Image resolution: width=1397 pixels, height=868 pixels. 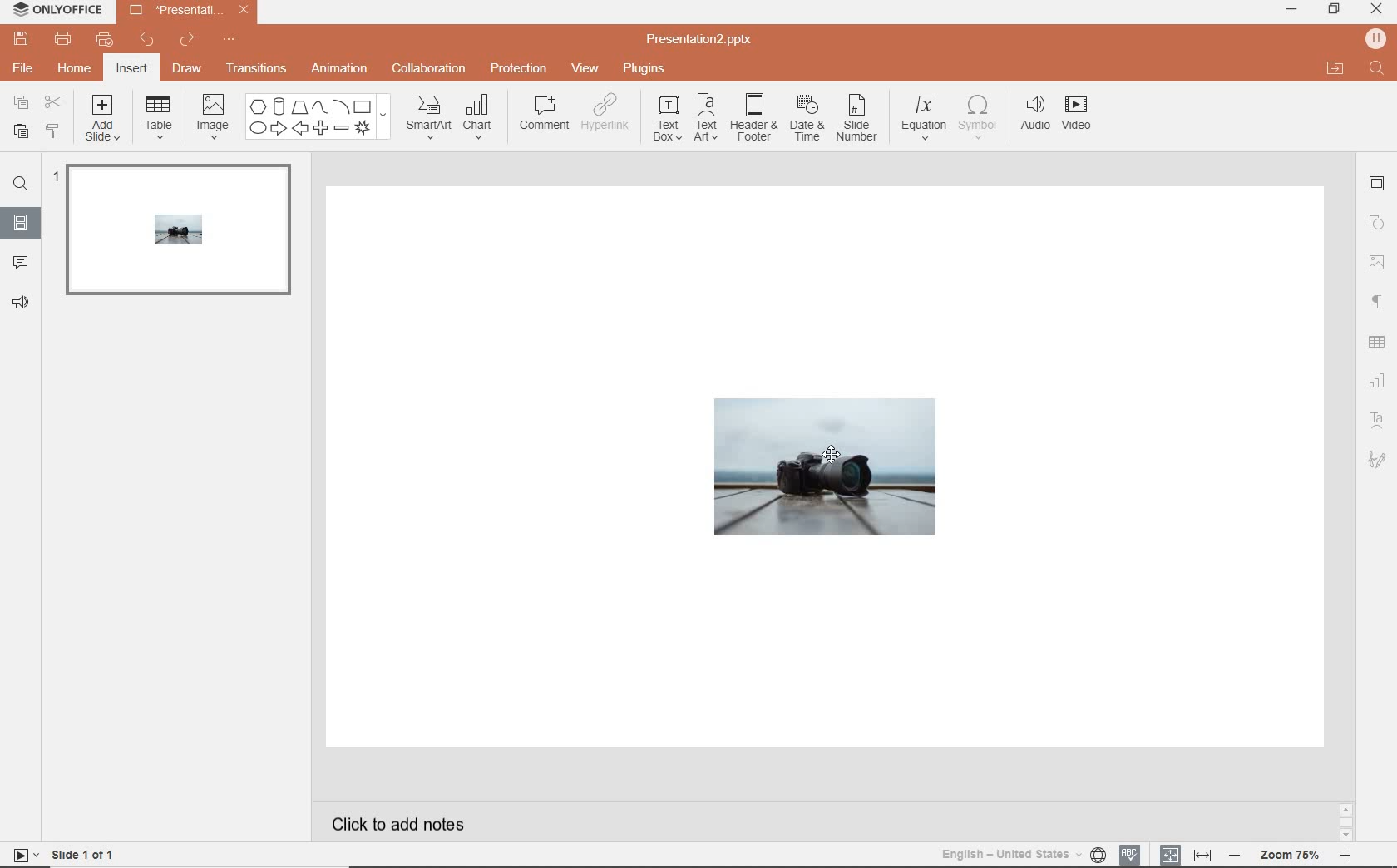 What do you see at coordinates (161, 117) in the screenshot?
I see `table` at bounding box center [161, 117].